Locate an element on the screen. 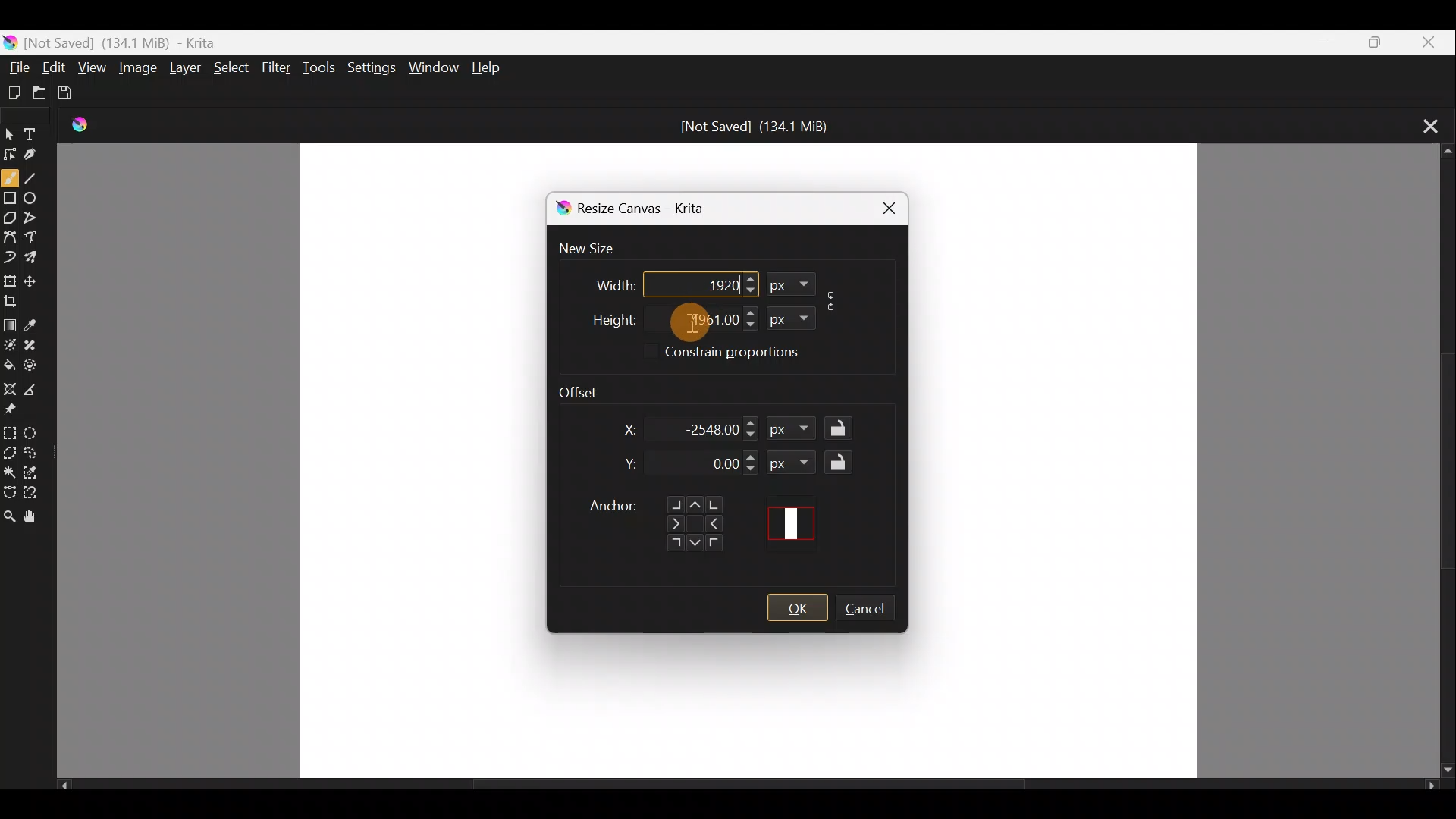  Fill a contiguous area of colour with colour/fill a selection is located at coordinates (9, 363).